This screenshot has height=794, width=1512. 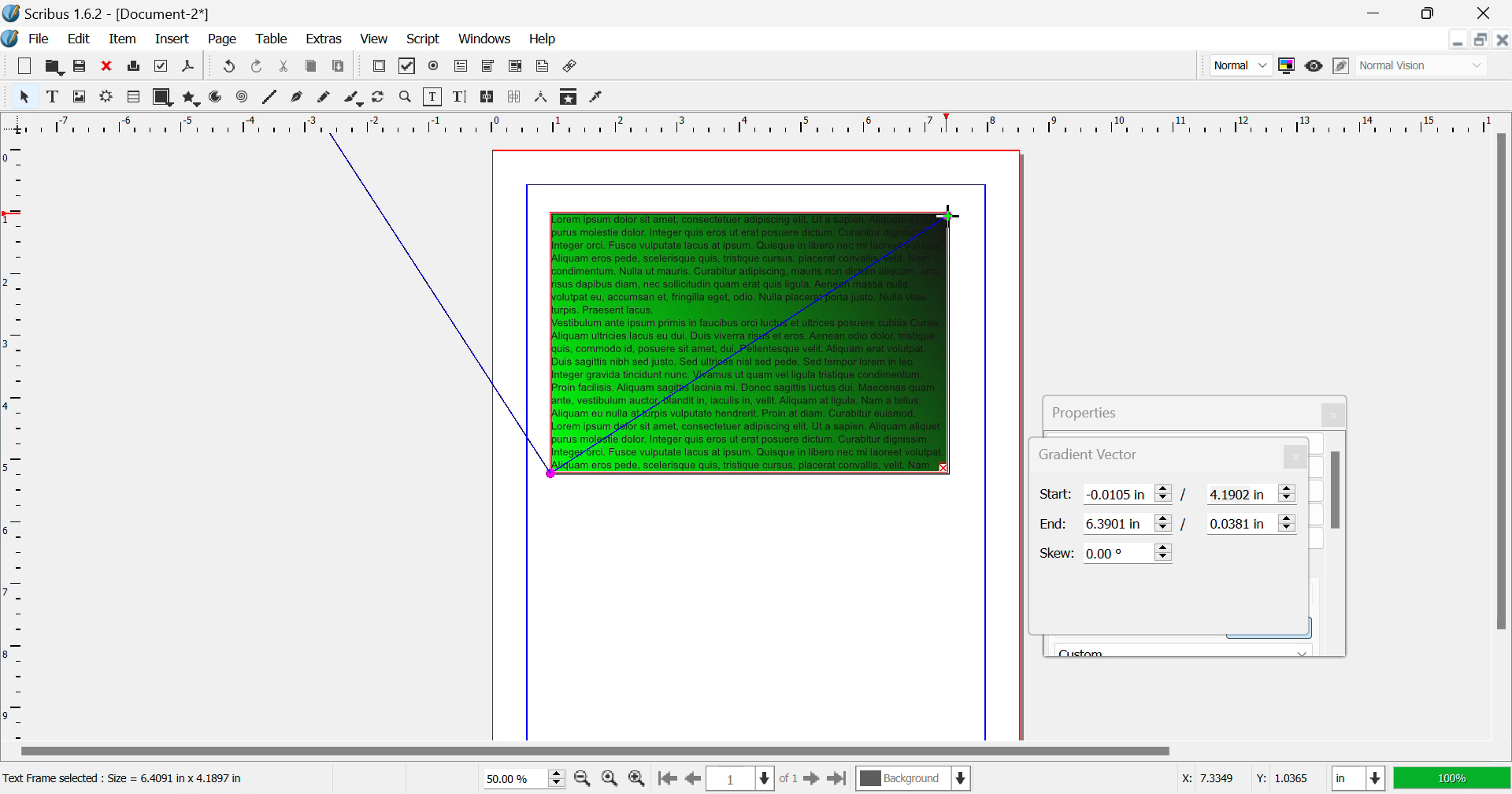 I want to click on Pdf Radio Button, so click(x=434, y=68).